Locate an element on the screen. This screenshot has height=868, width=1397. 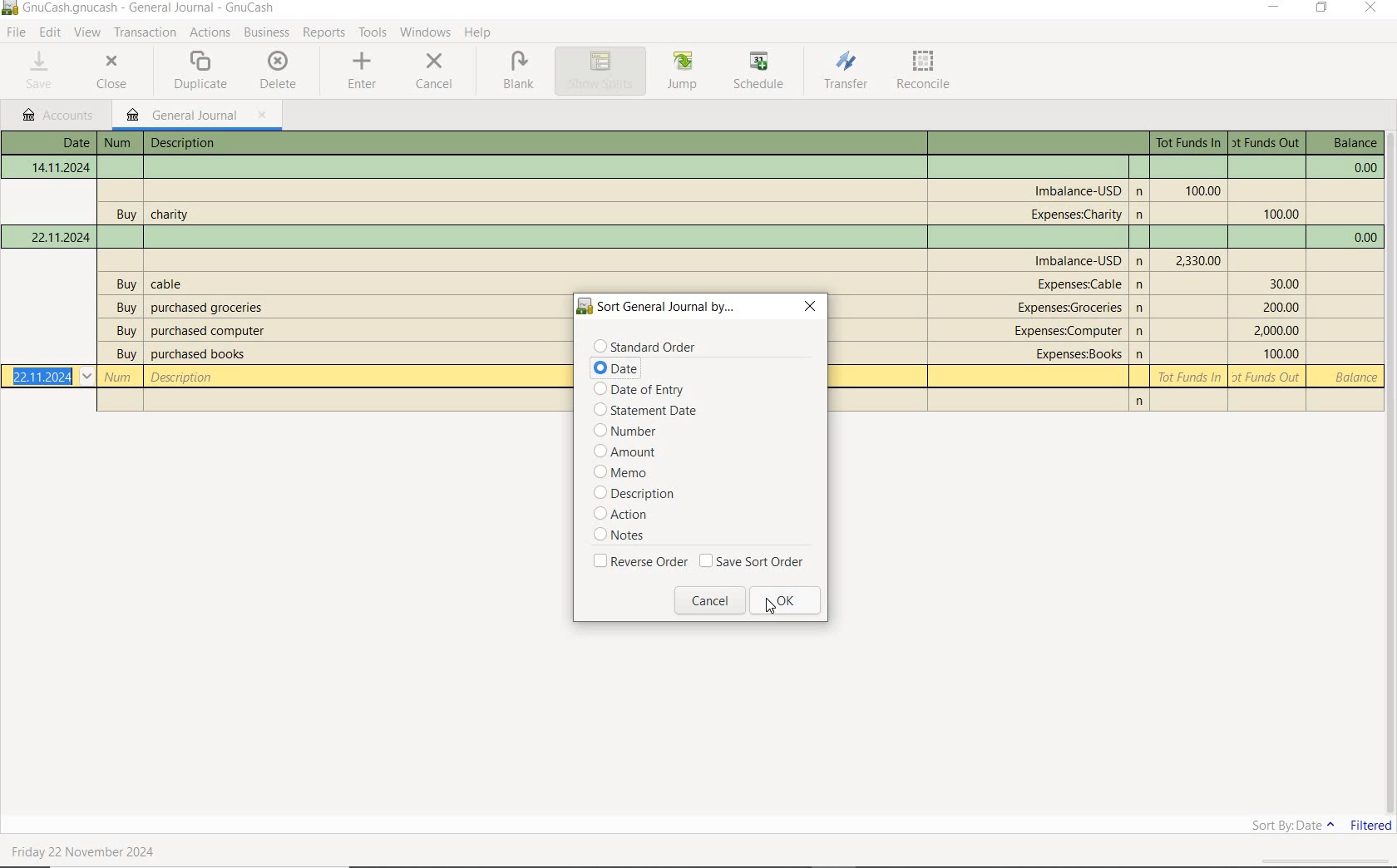
MINIMIZE is located at coordinates (1276, 10).